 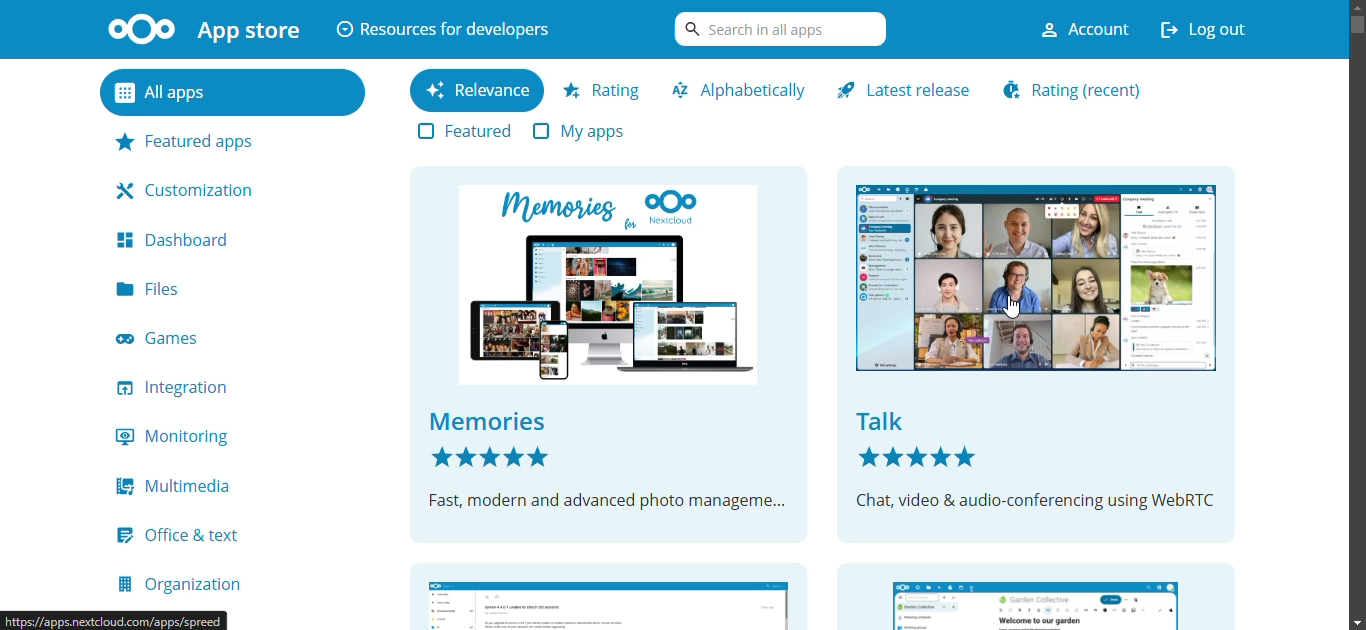 I want to click on multimedia, so click(x=182, y=486).